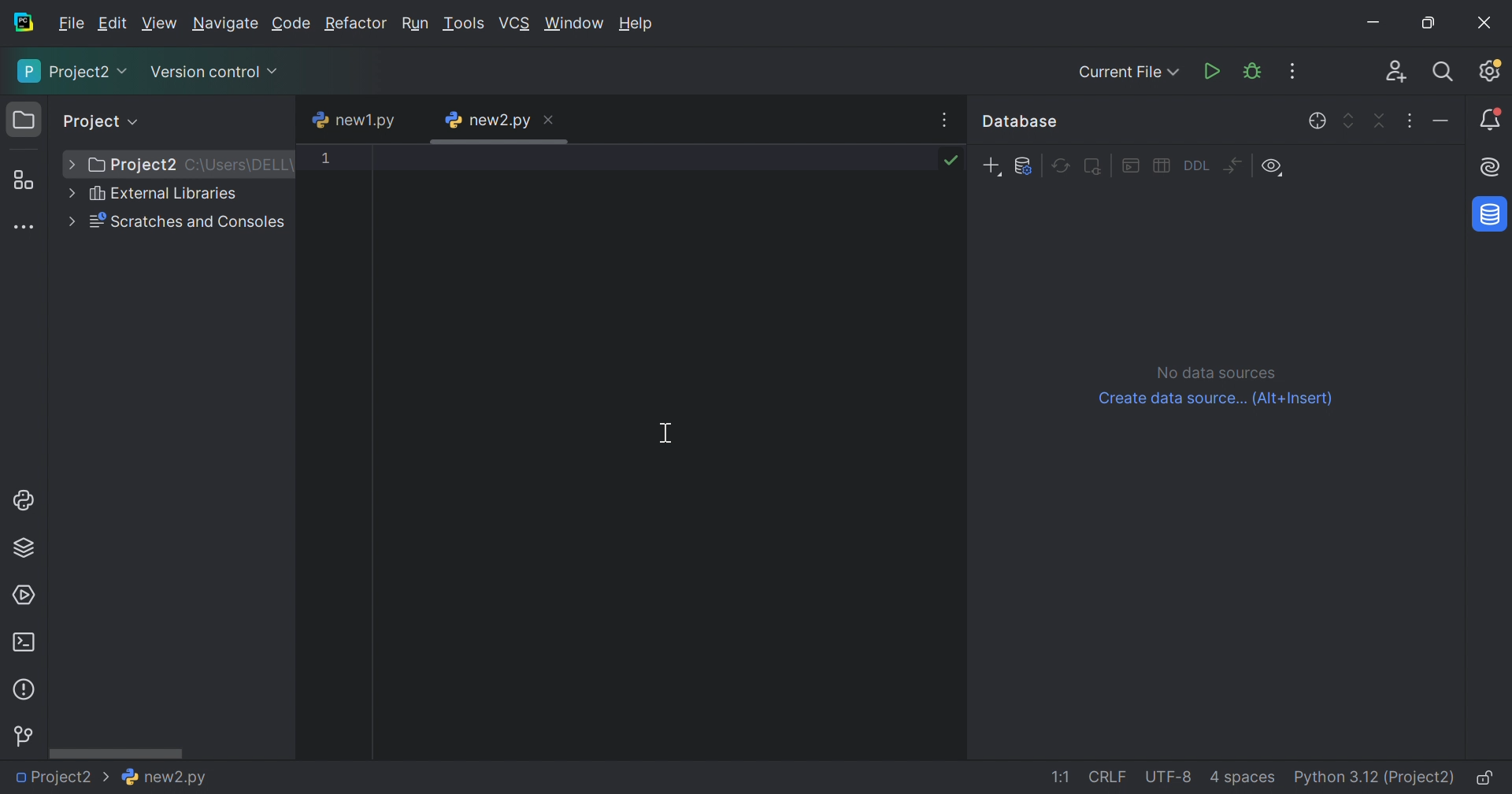 The image size is (1512, 794). What do you see at coordinates (73, 165) in the screenshot?
I see `More` at bounding box center [73, 165].